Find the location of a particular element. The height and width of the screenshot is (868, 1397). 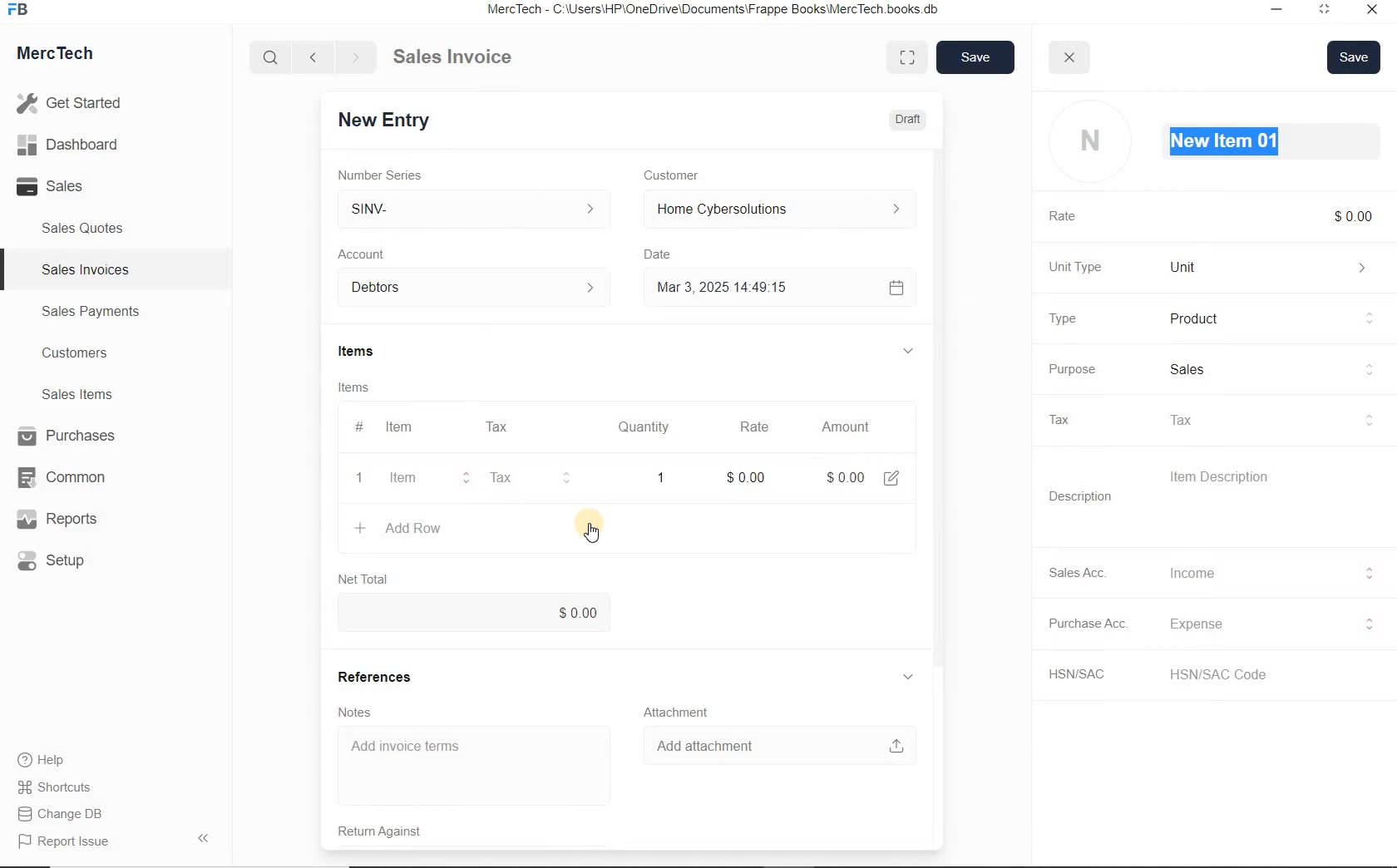

Go back is located at coordinates (315, 57).